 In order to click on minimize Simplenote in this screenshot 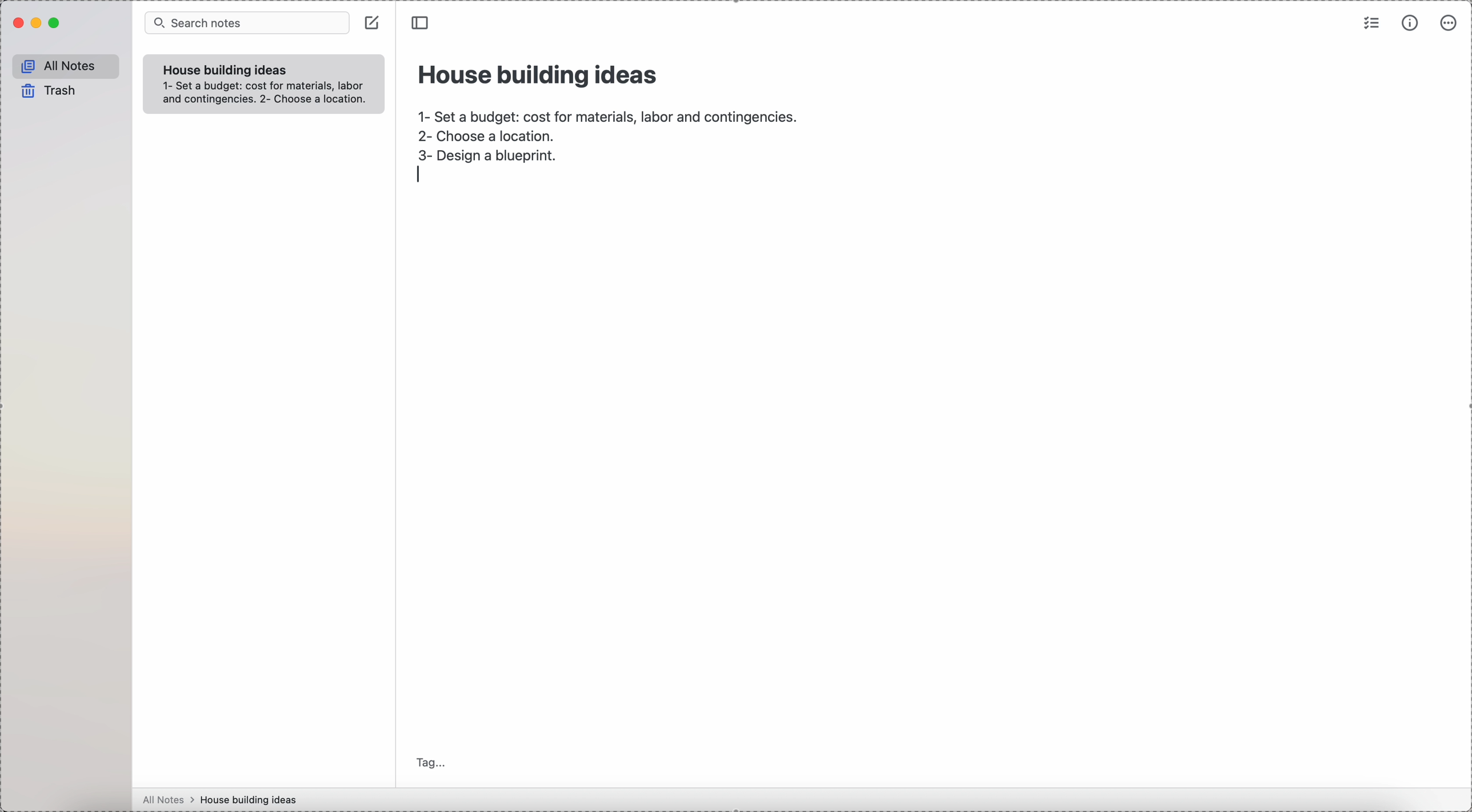, I will do `click(38, 25)`.